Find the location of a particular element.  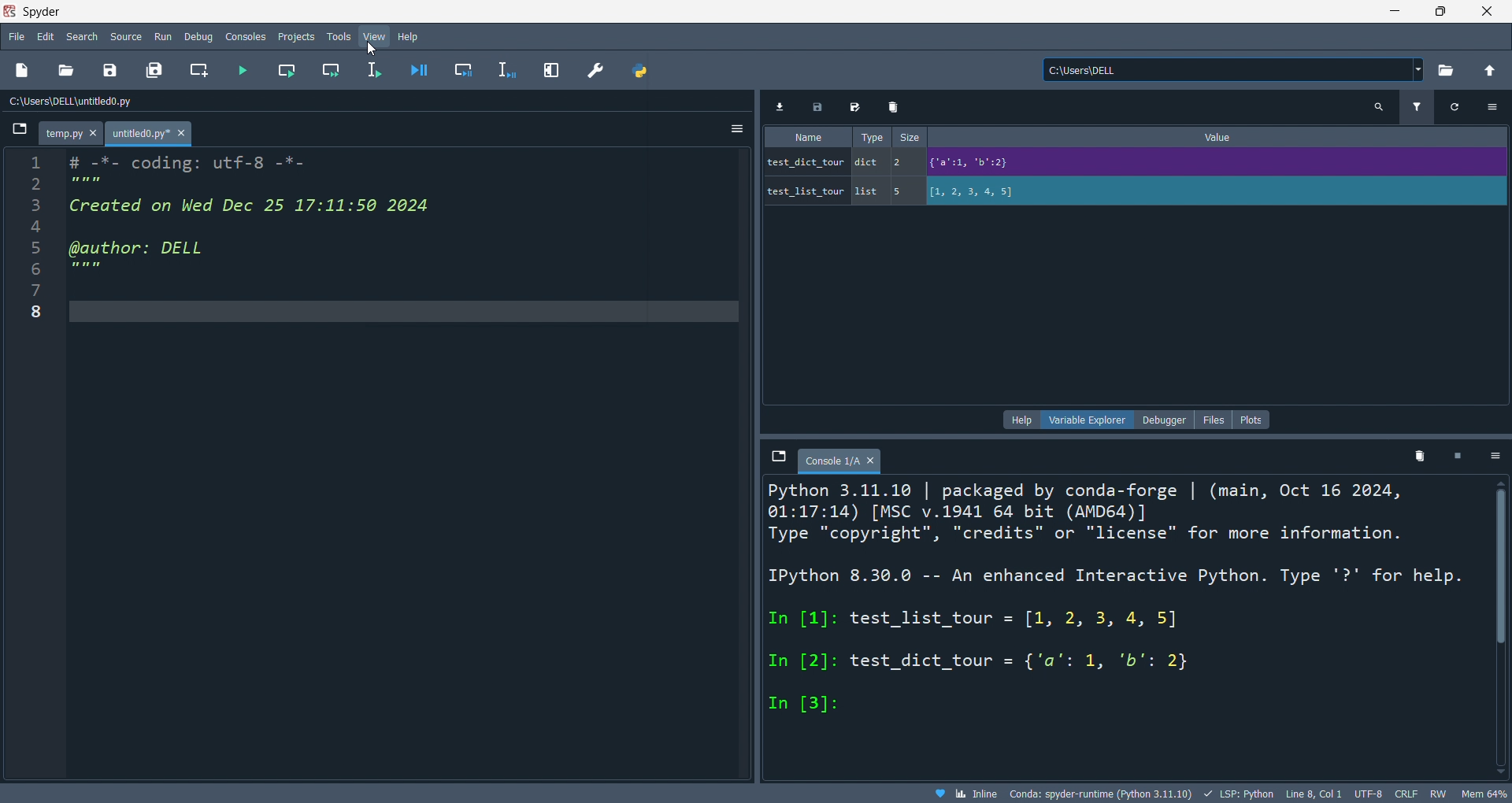

edit is located at coordinates (46, 36).